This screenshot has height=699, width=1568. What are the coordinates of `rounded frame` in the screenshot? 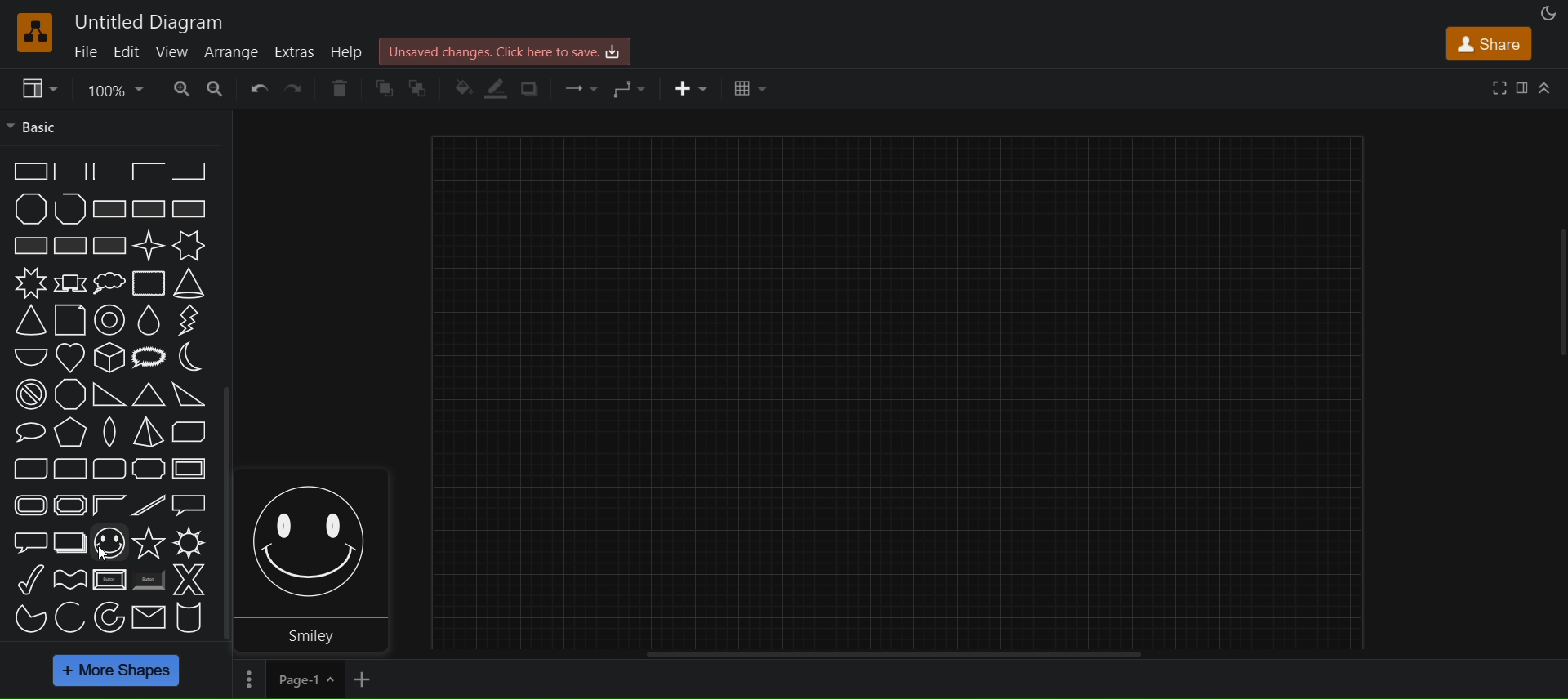 It's located at (28, 505).